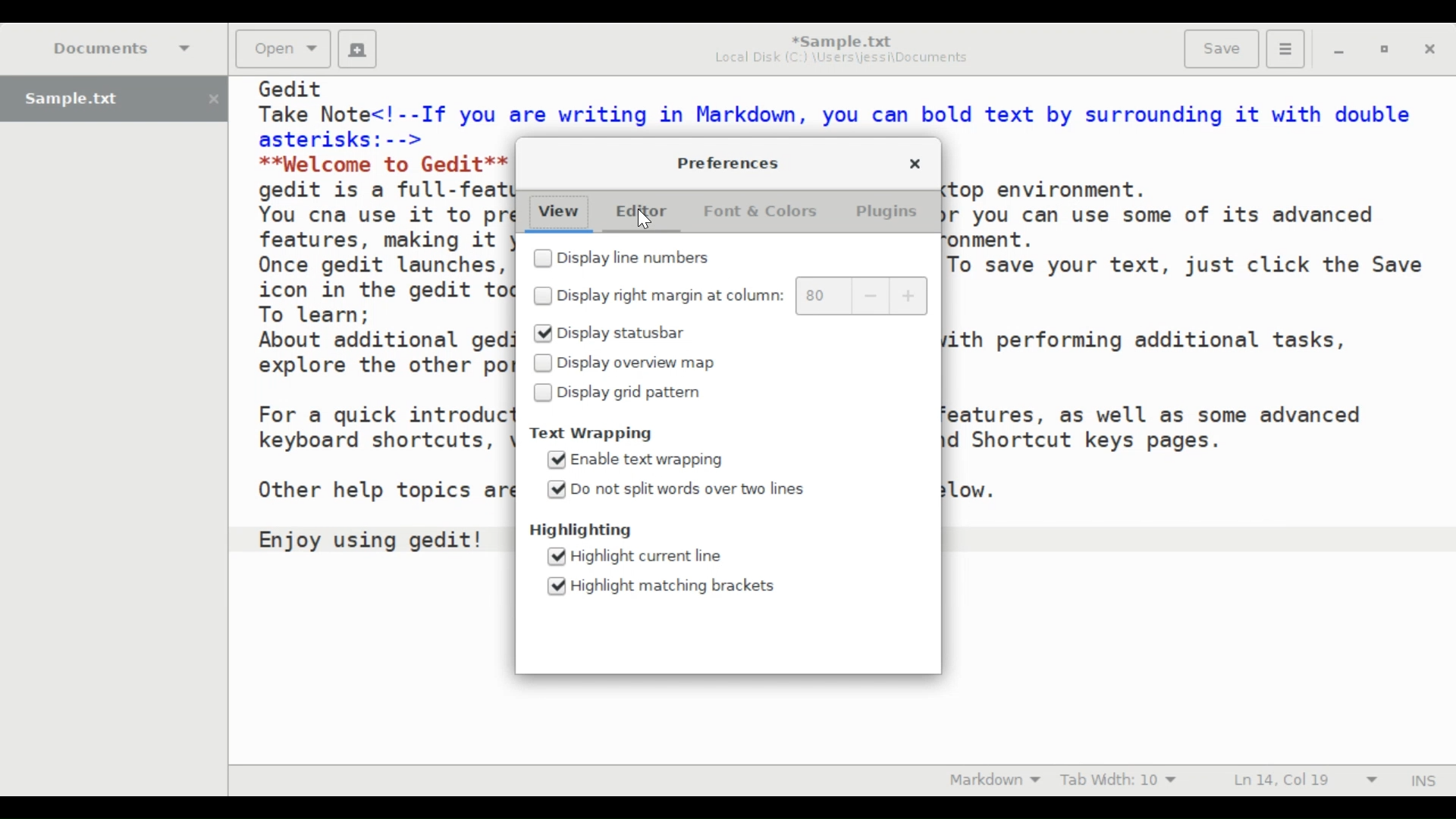 This screenshot has height=819, width=1456. Describe the element at coordinates (759, 213) in the screenshot. I see `Font & Colors` at that location.